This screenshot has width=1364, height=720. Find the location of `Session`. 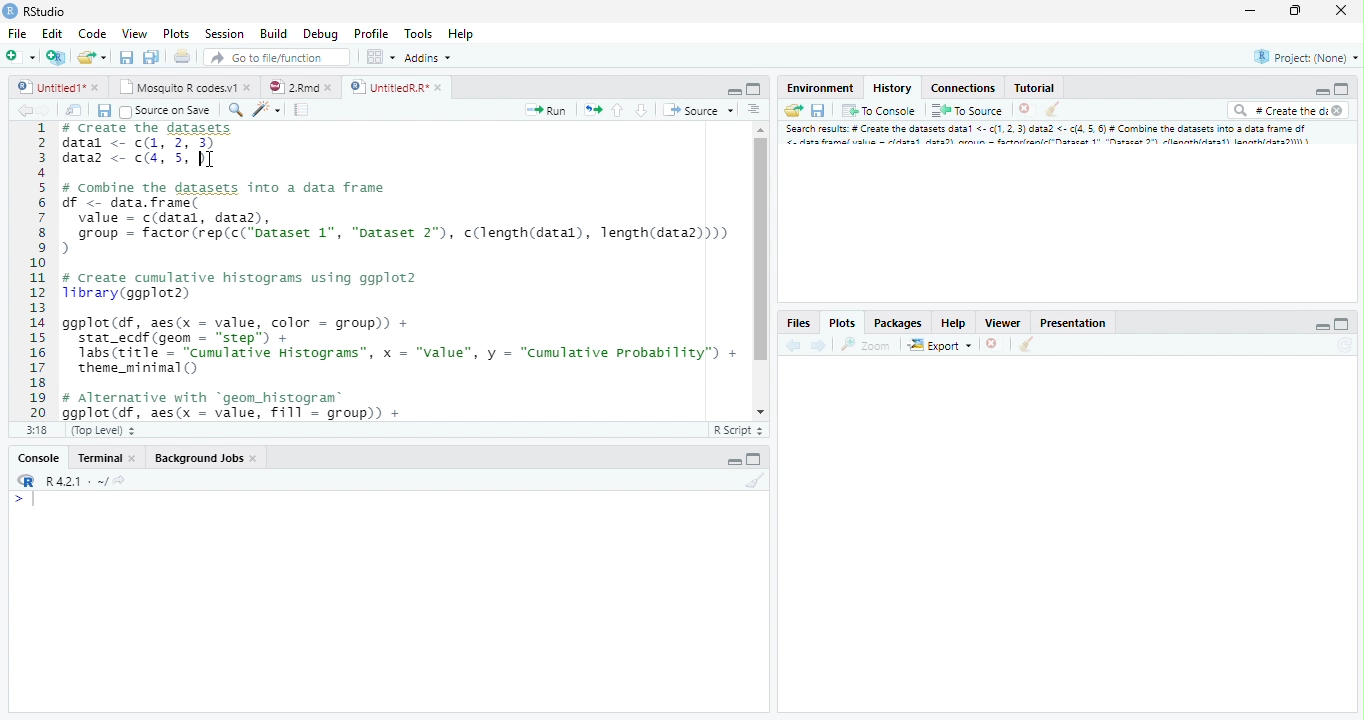

Session is located at coordinates (227, 34).